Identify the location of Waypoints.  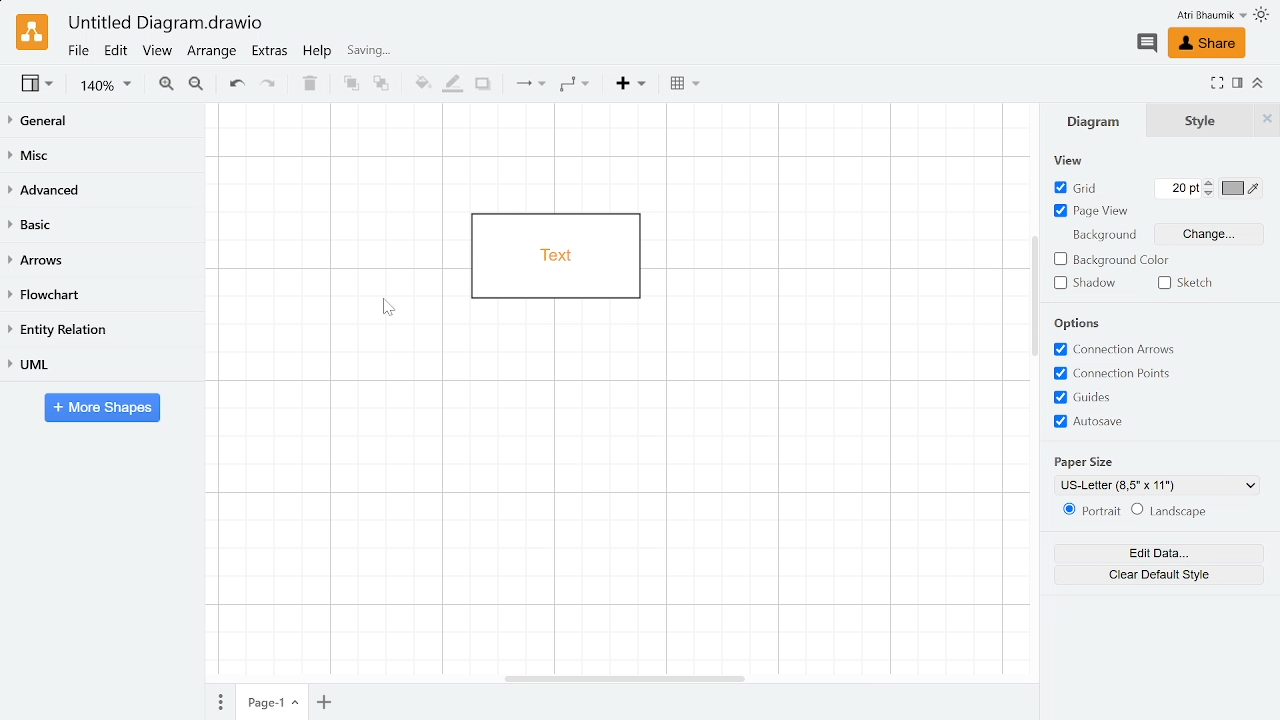
(576, 86).